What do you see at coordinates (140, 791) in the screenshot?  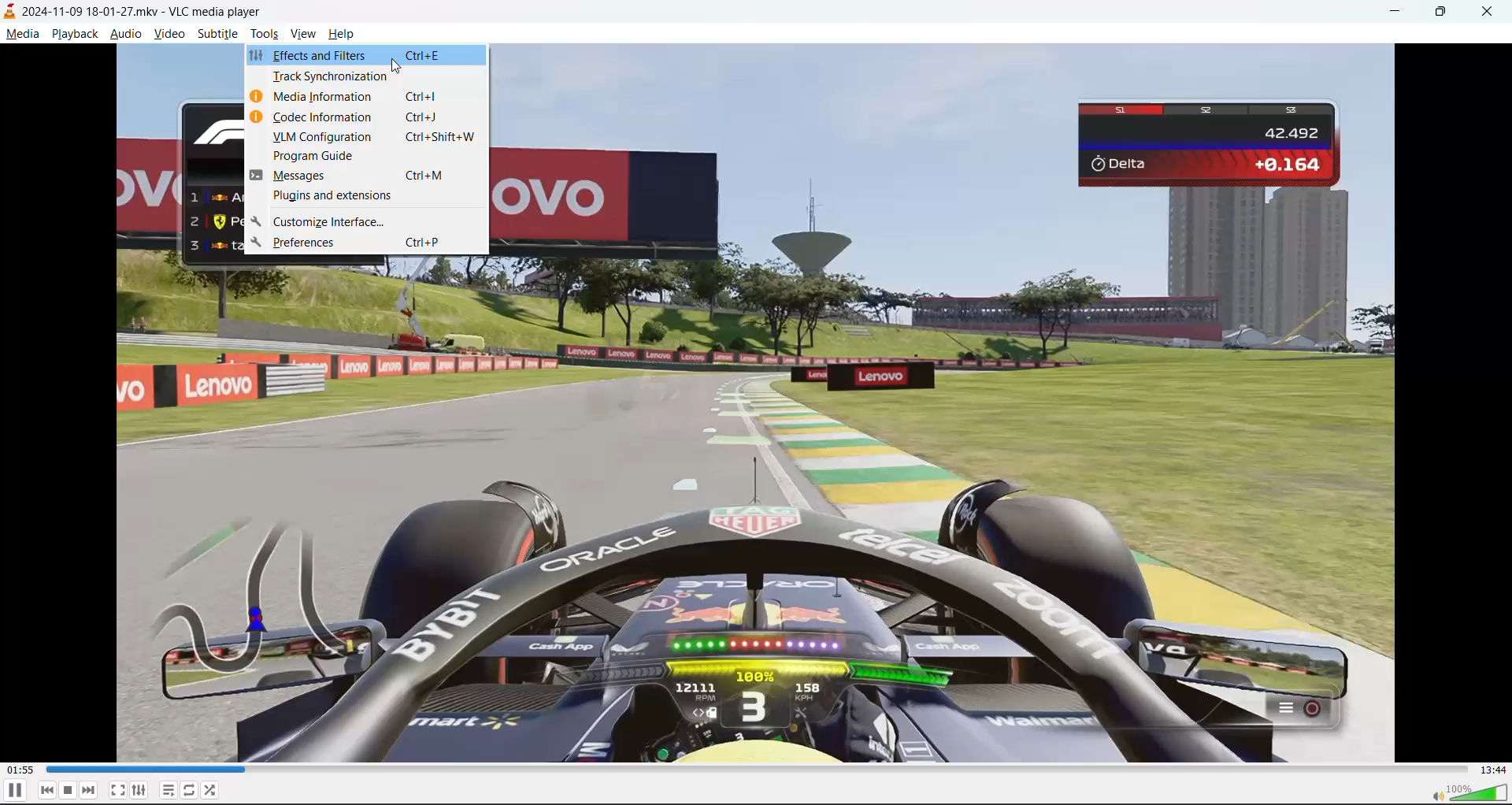 I see `settings` at bounding box center [140, 791].